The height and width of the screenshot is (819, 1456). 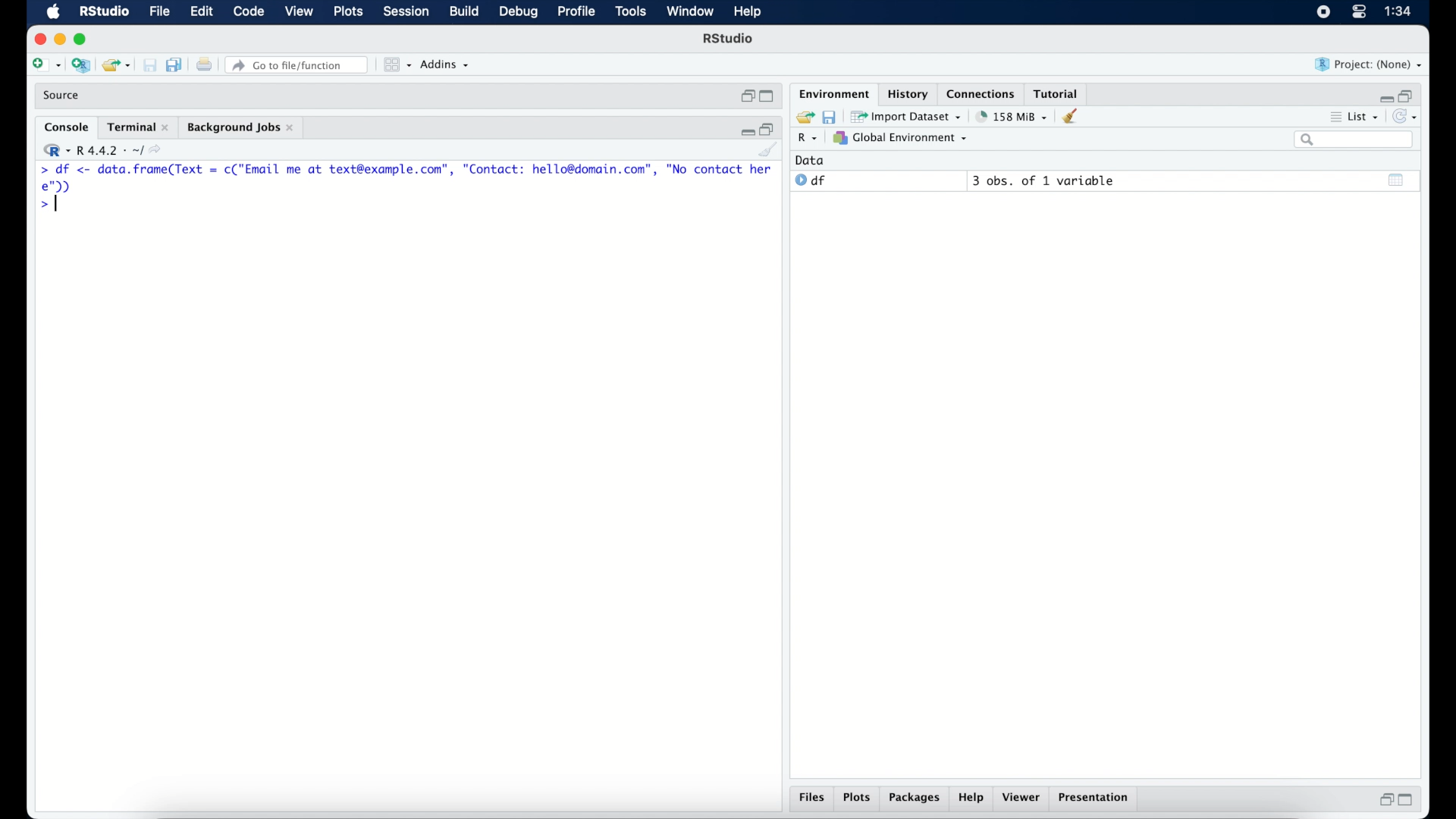 I want to click on date, so click(x=811, y=160).